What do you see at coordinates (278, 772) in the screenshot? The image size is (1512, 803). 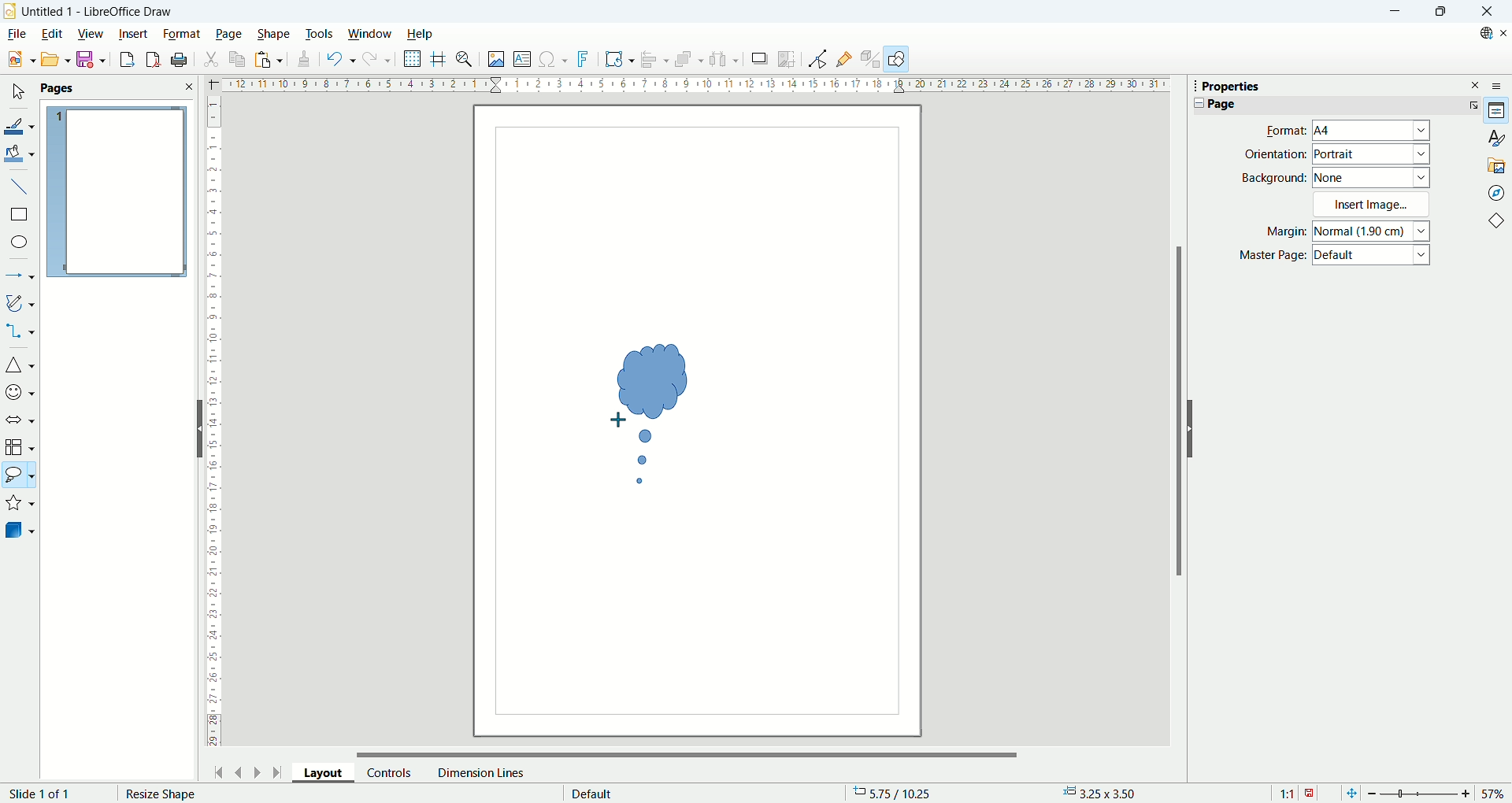 I see `go to last page` at bounding box center [278, 772].